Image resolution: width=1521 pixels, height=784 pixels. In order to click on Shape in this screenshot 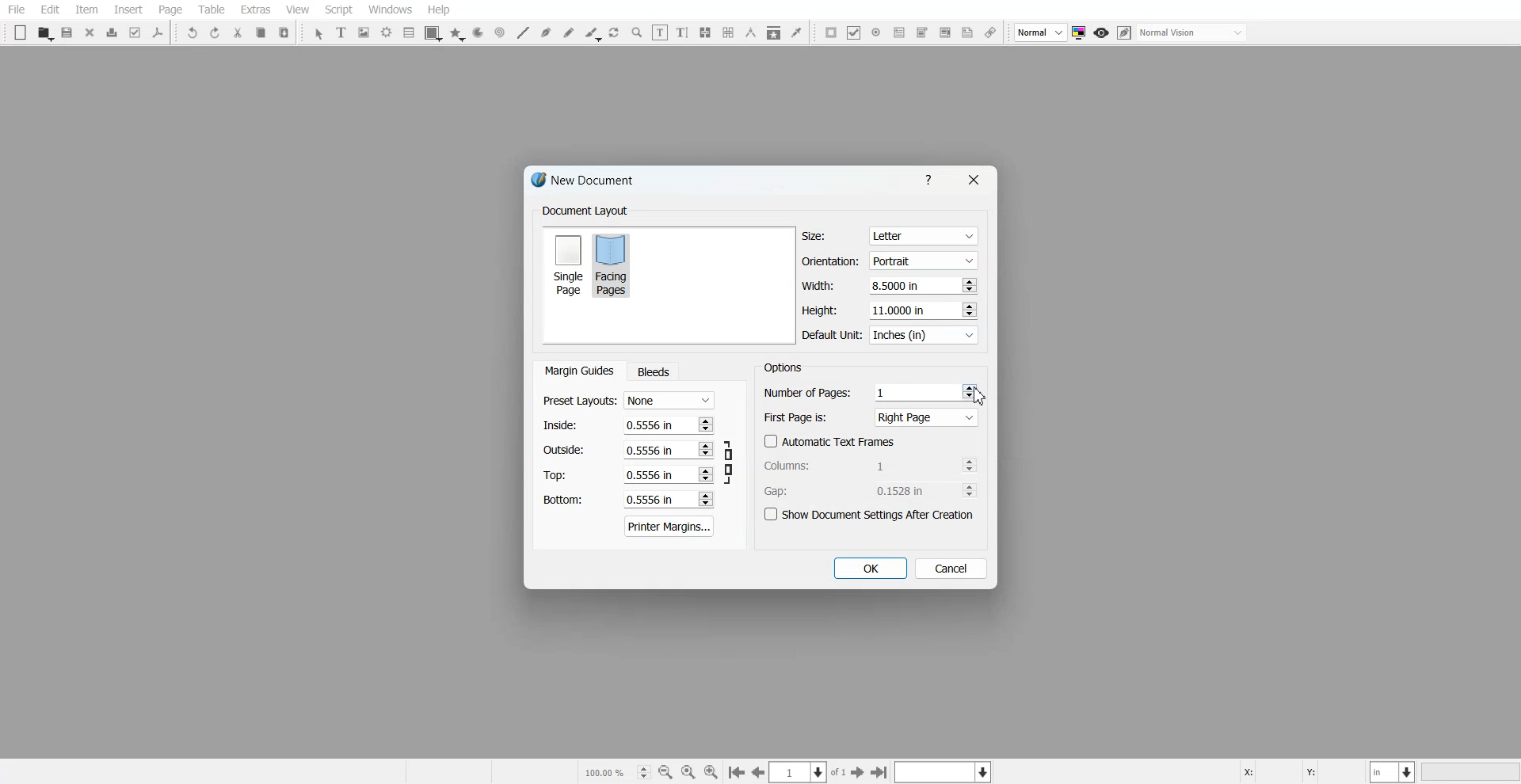, I will do `click(433, 33)`.